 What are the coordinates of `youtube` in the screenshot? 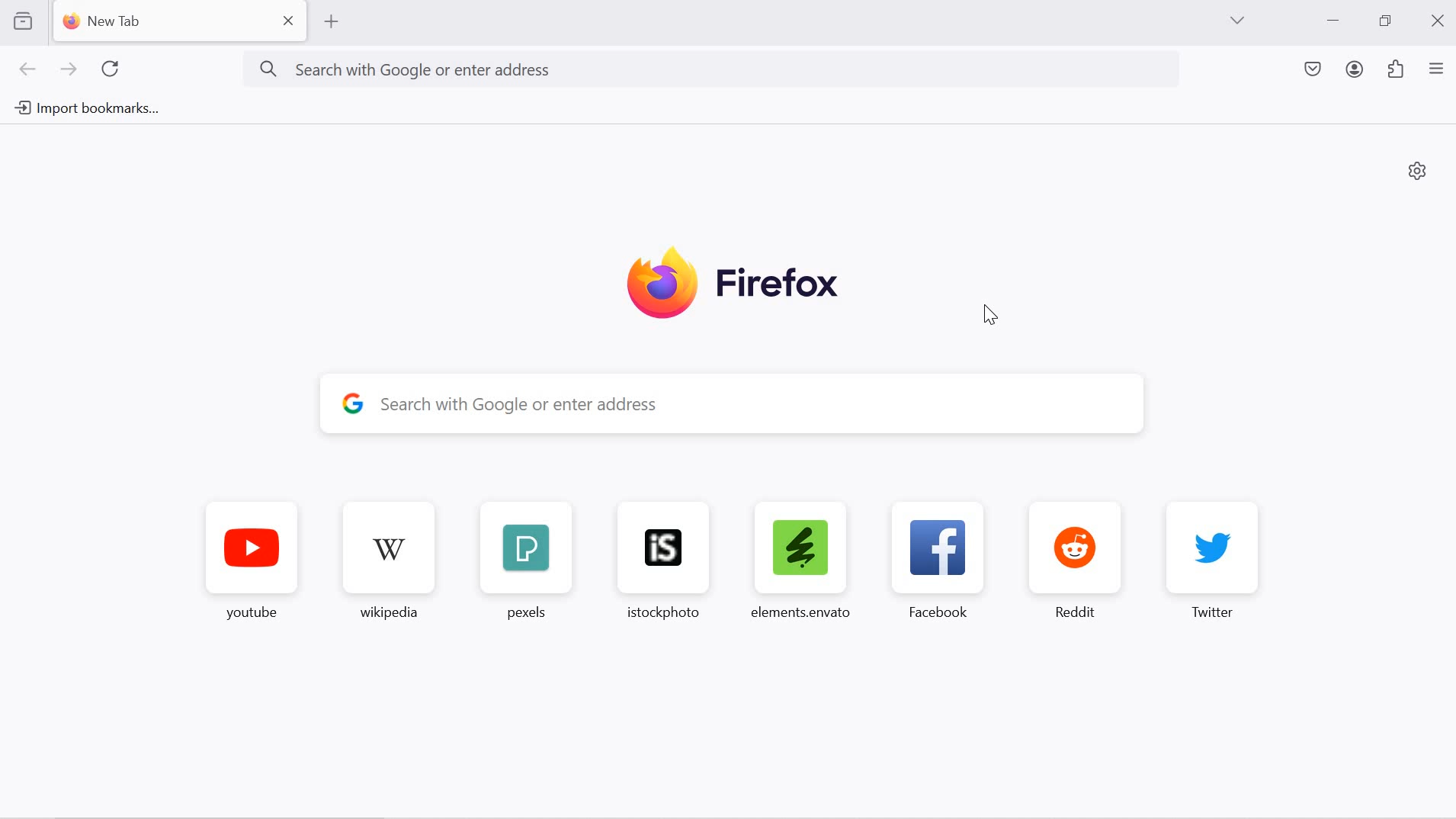 It's located at (243, 564).